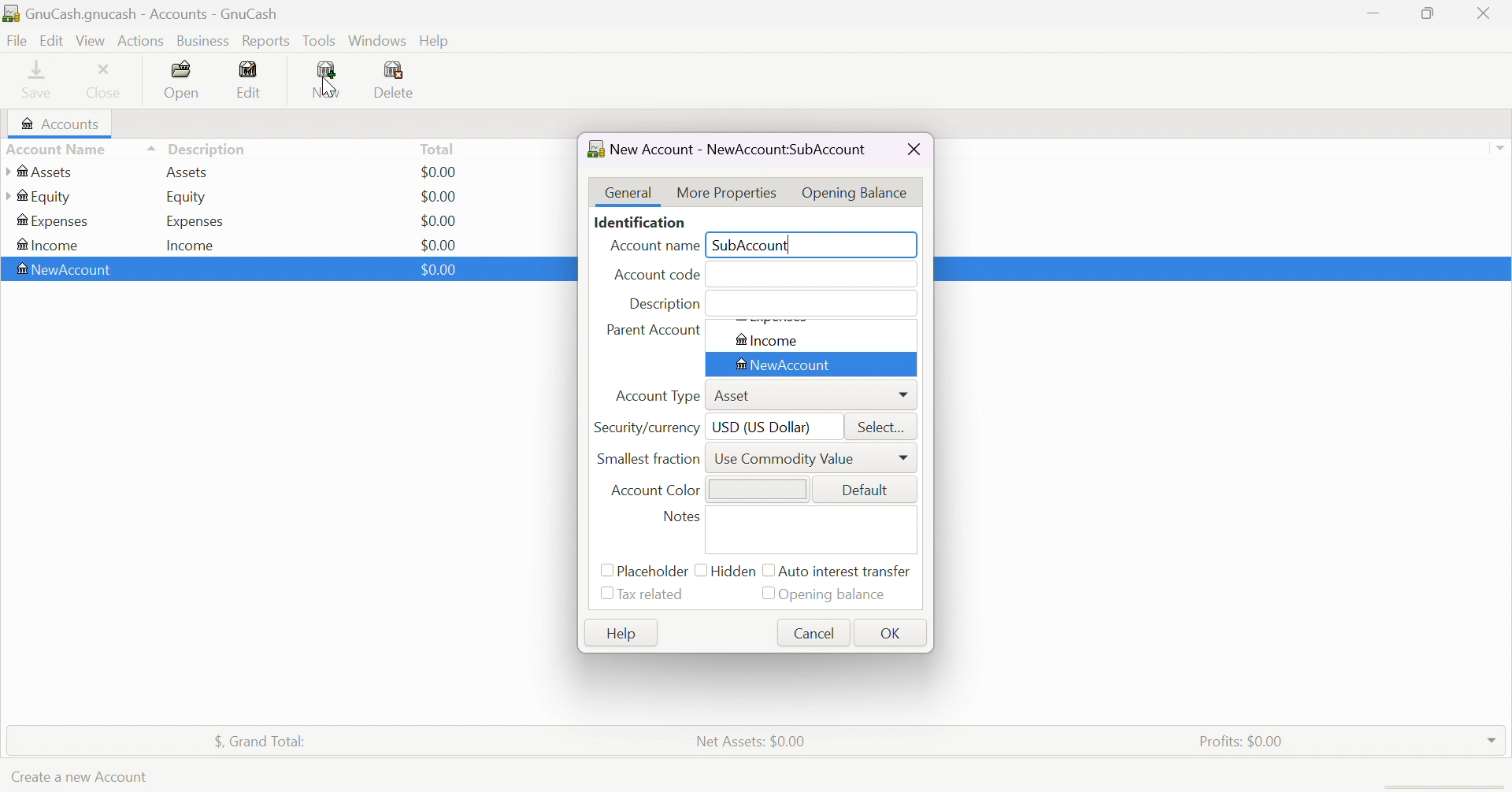 The height and width of the screenshot is (792, 1512). I want to click on Save, so click(37, 80).